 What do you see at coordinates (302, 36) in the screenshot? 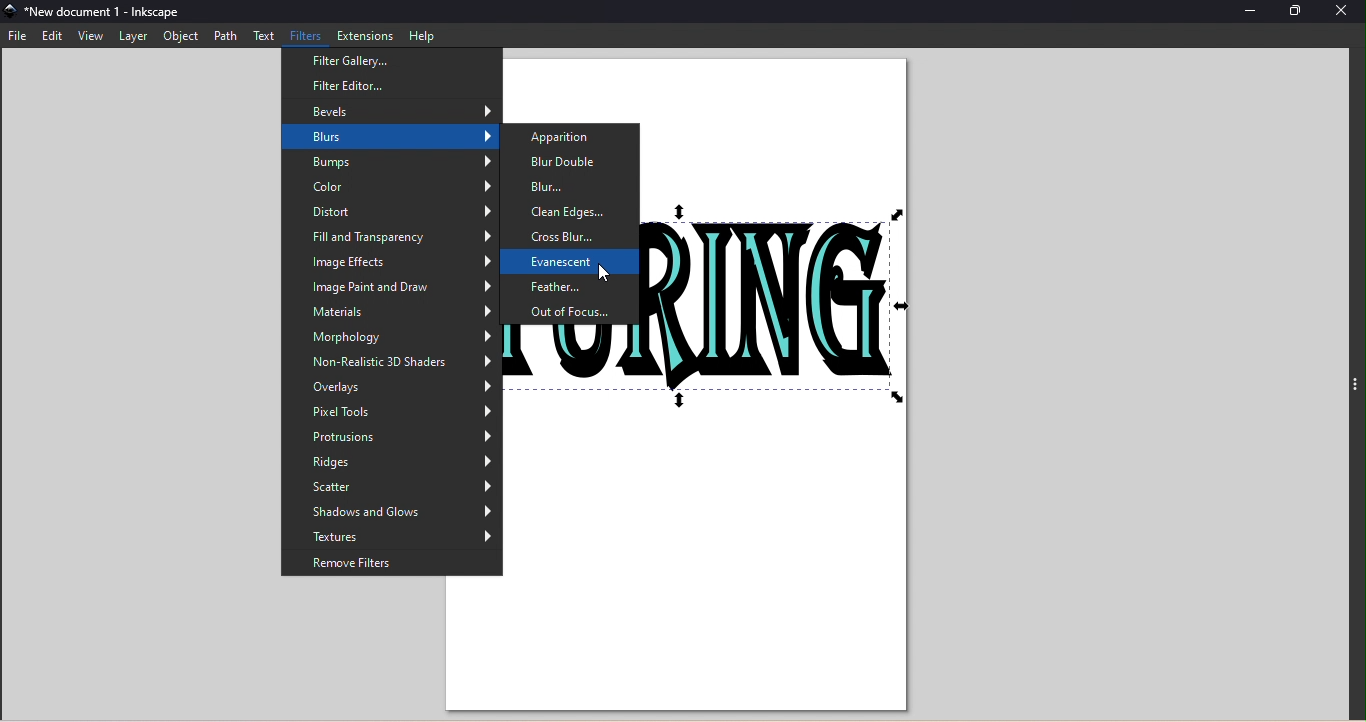
I see `Filters` at bounding box center [302, 36].